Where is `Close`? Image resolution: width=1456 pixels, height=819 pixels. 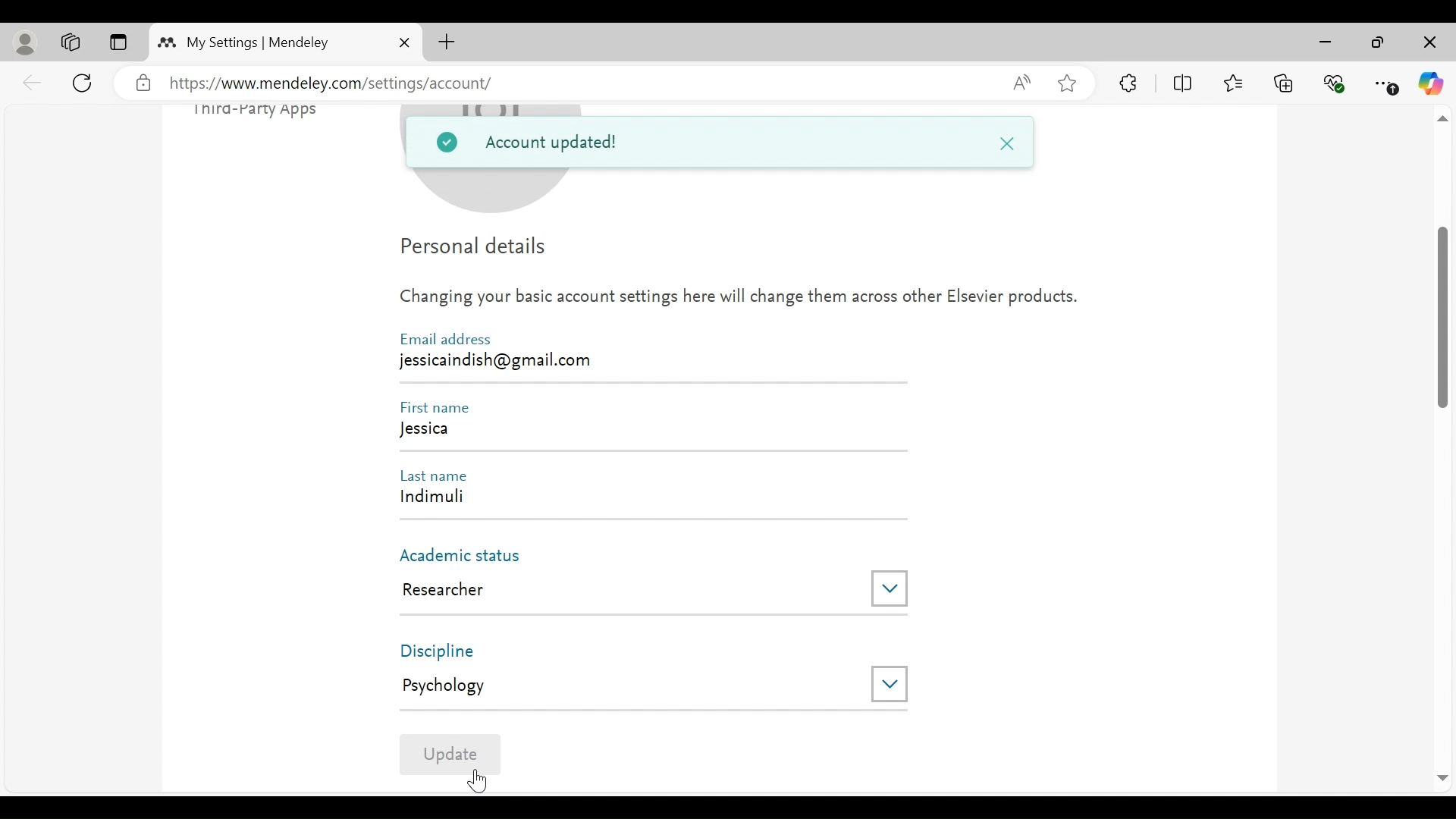
Close is located at coordinates (404, 42).